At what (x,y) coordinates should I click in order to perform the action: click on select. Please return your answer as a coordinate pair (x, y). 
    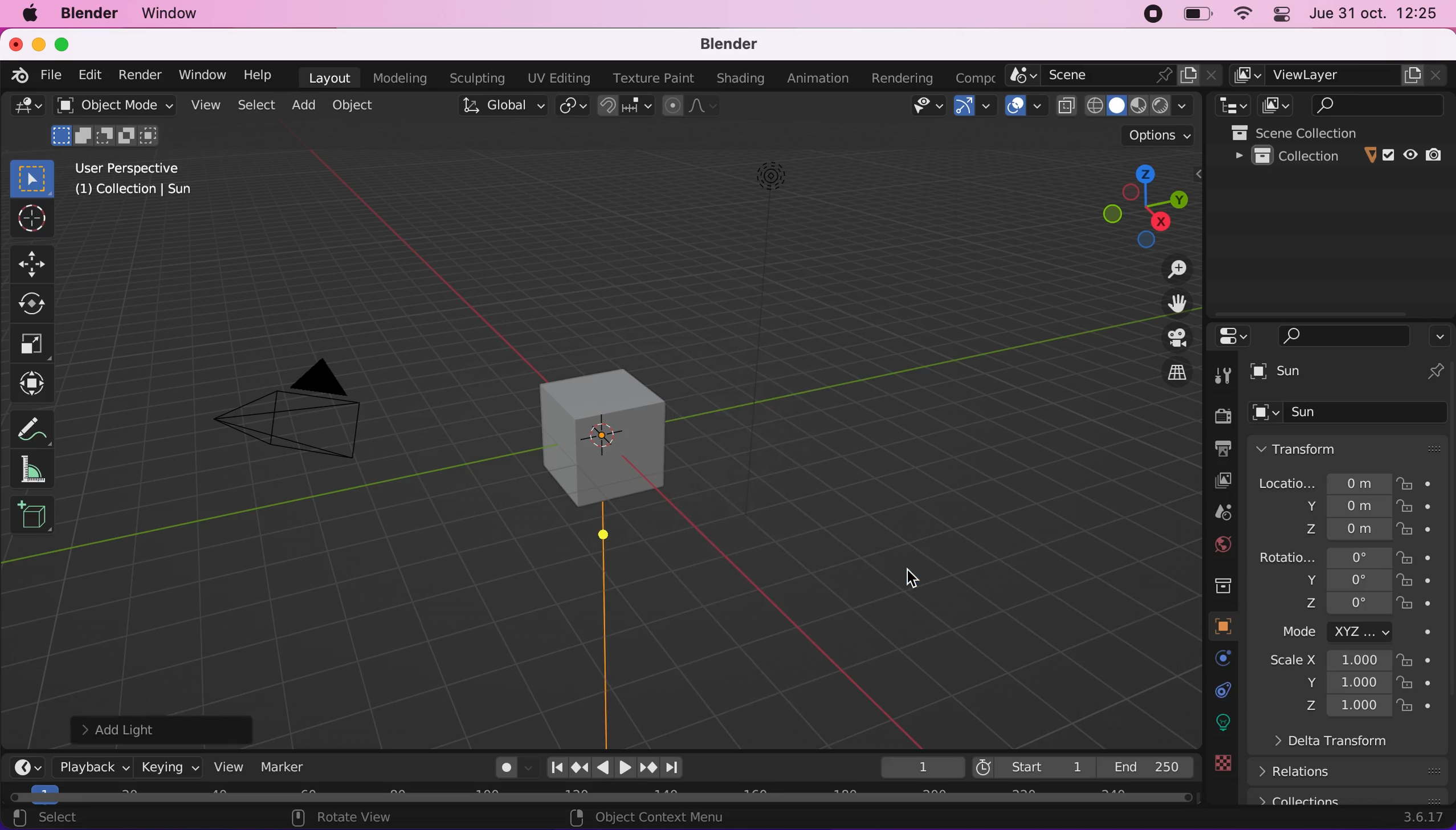
    Looking at the image, I should click on (258, 105).